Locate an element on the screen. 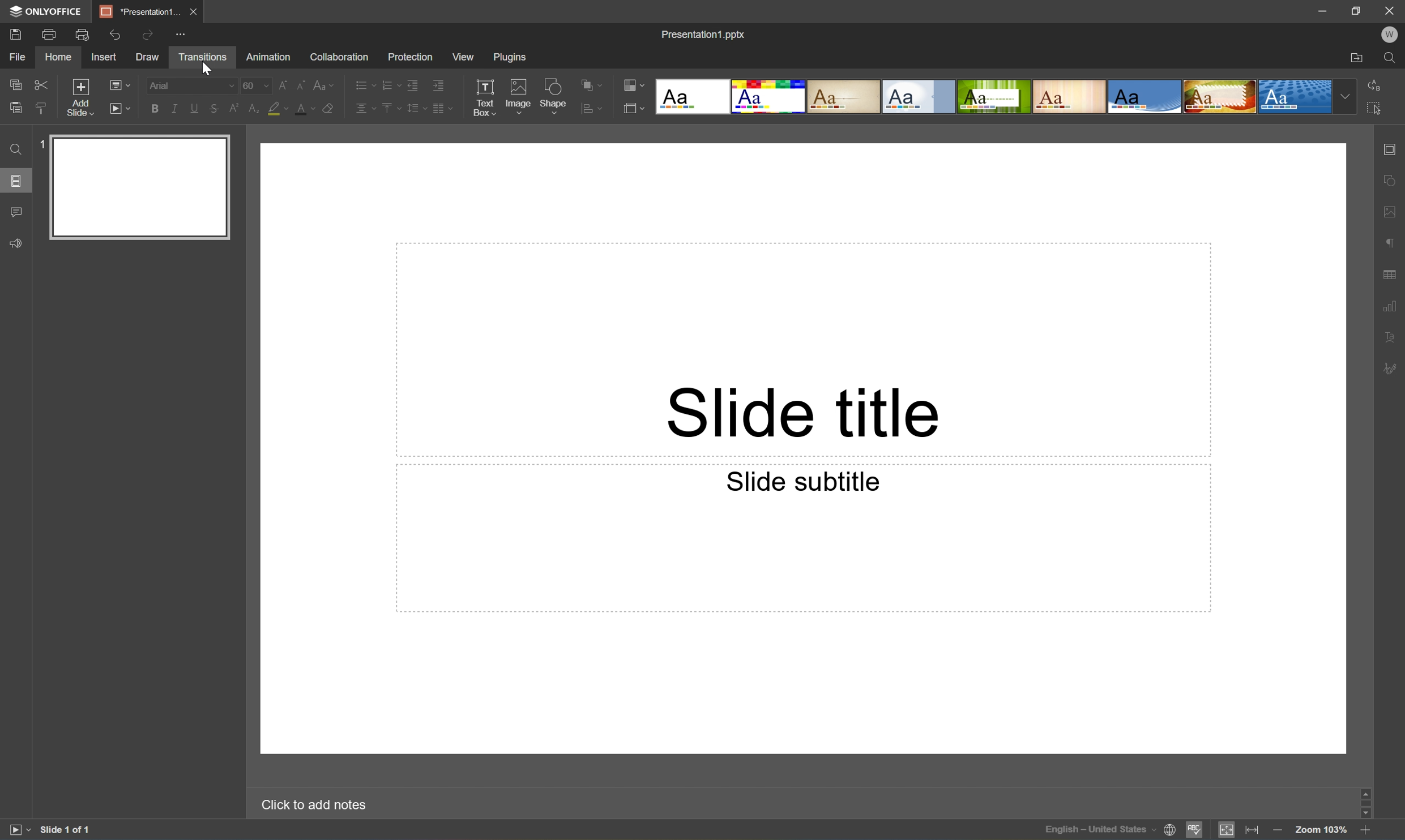 This screenshot has height=840, width=1405. Cursor Position is located at coordinates (206, 68).